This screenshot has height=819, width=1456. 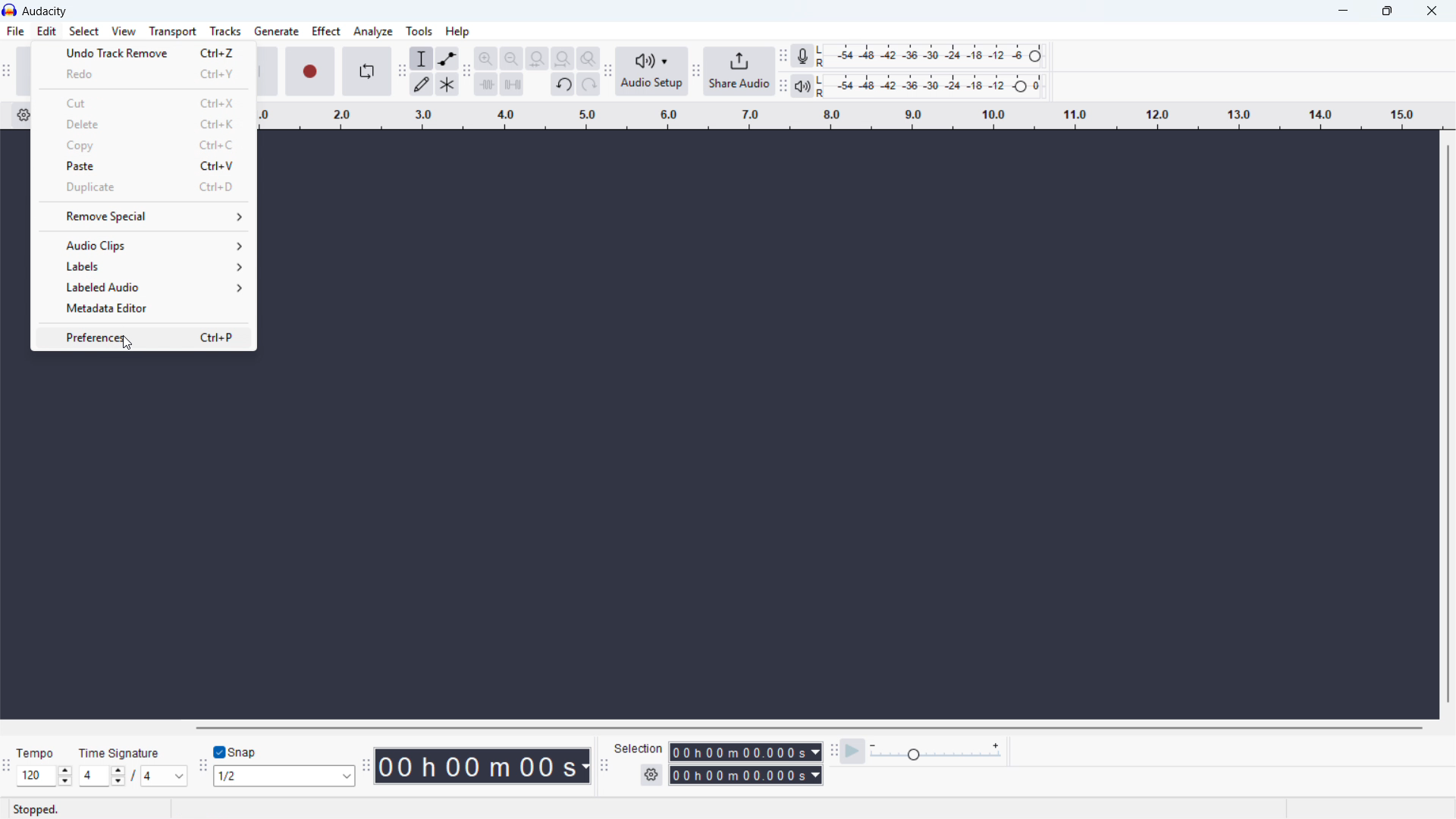 I want to click on minimize, so click(x=1342, y=11).